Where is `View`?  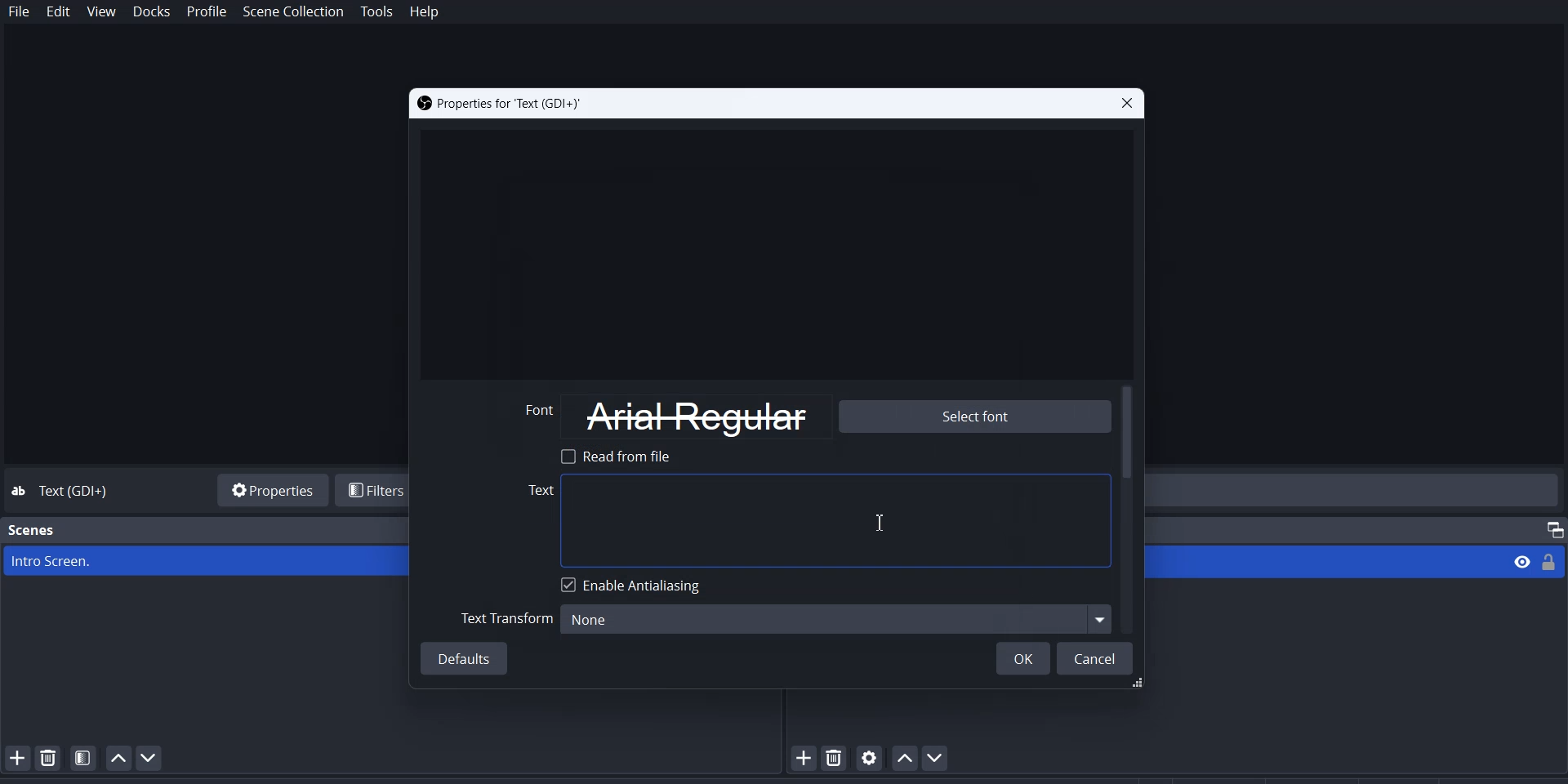
View is located at coordinates (102, 12).